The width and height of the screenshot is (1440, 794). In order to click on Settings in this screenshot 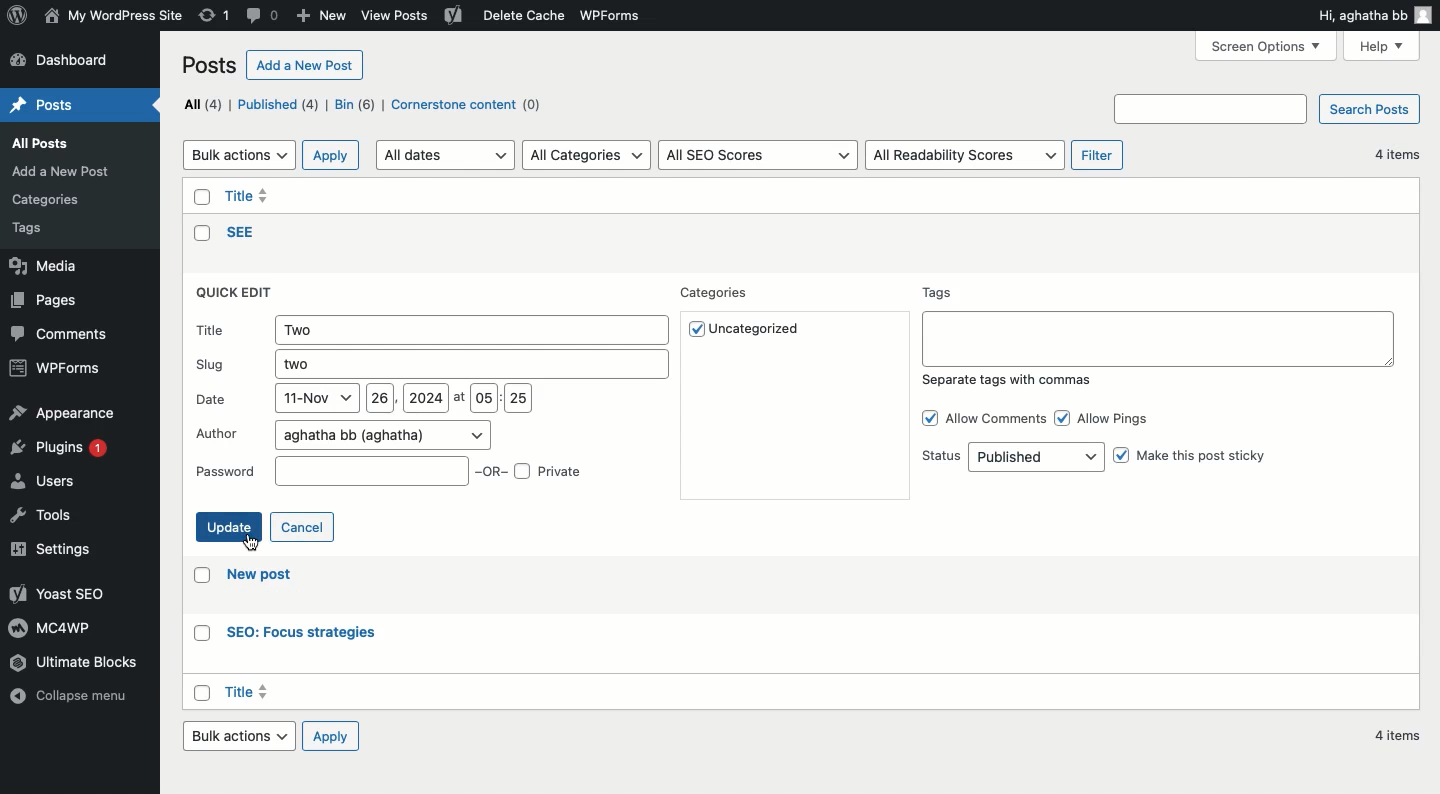, I will do `click(61, 548)`.